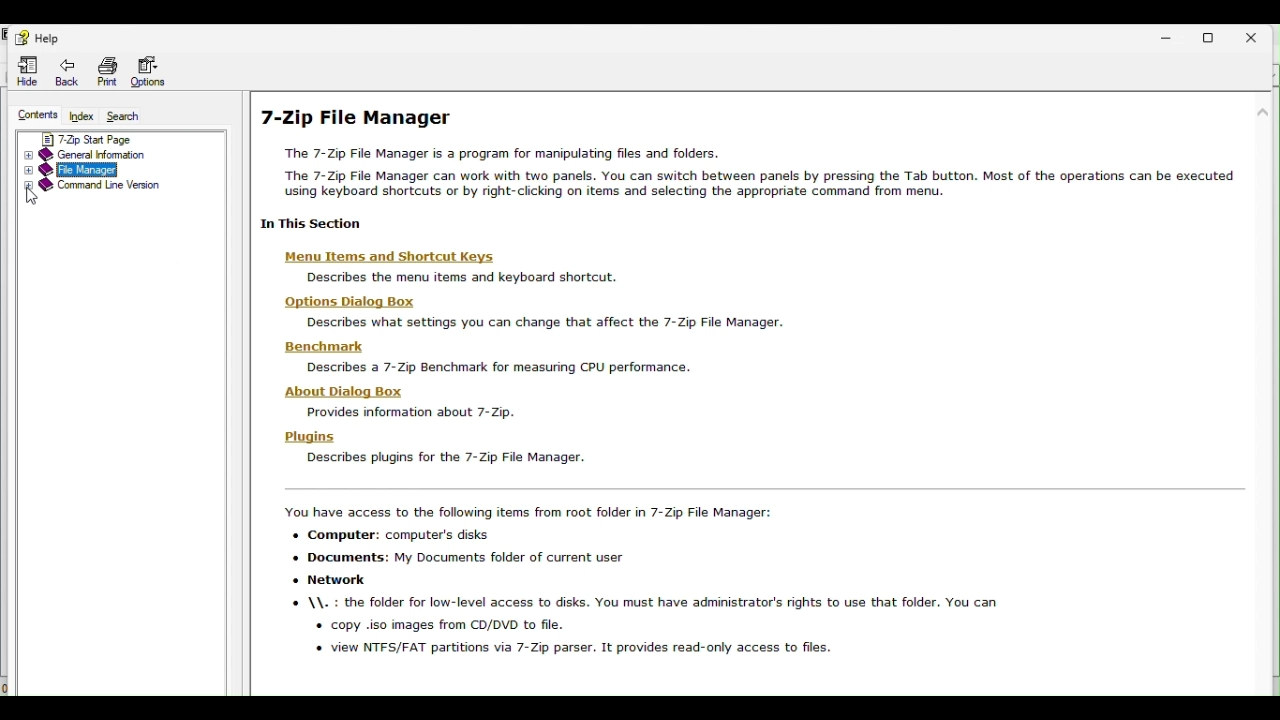 This screenshot has height=720, width=1280. I want to click on I Describes plugins for the 7-Zip File Manager., so click(448, 460).